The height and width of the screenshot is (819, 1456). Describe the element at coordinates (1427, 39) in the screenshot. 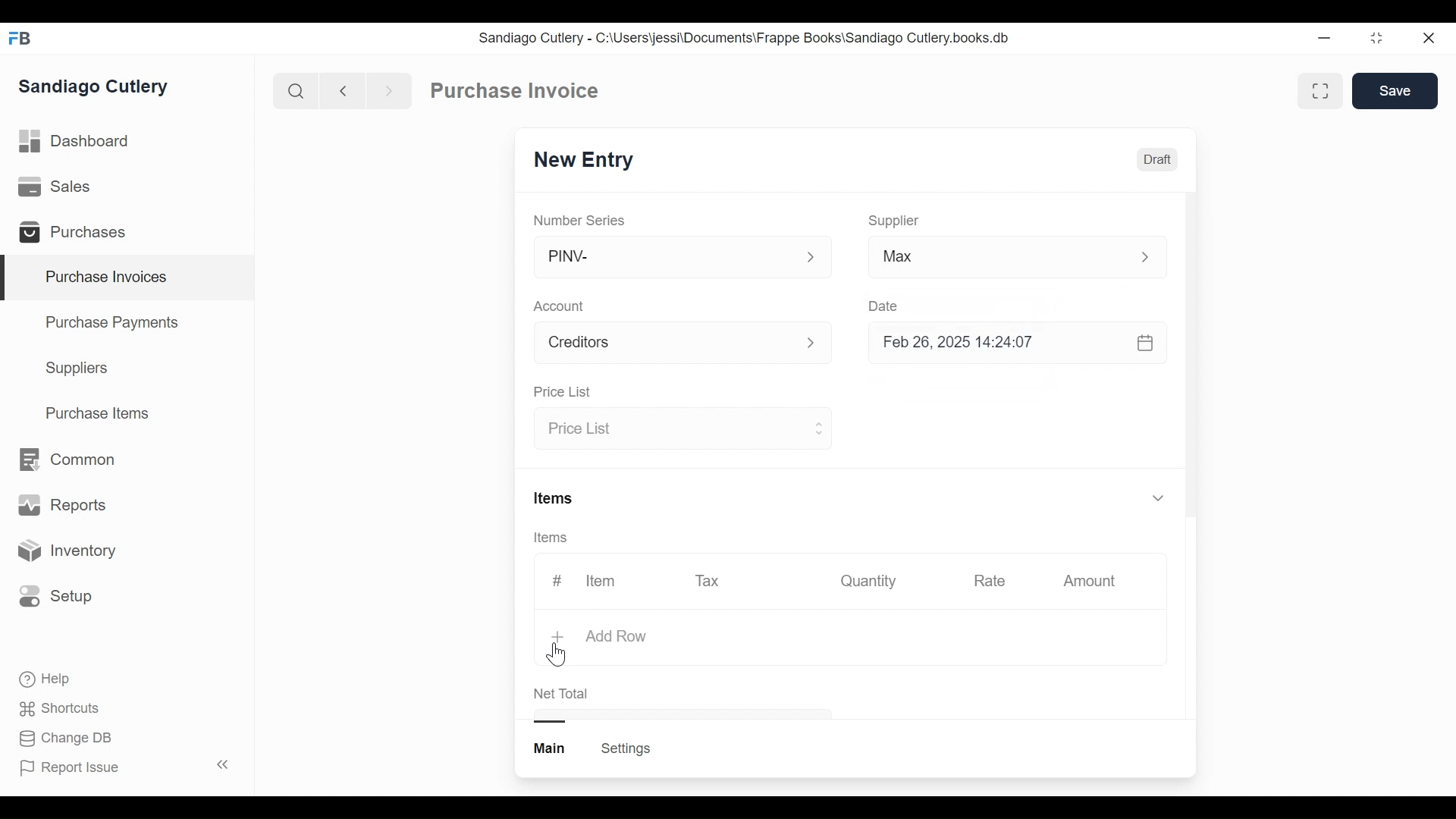

I see `close` at that location.